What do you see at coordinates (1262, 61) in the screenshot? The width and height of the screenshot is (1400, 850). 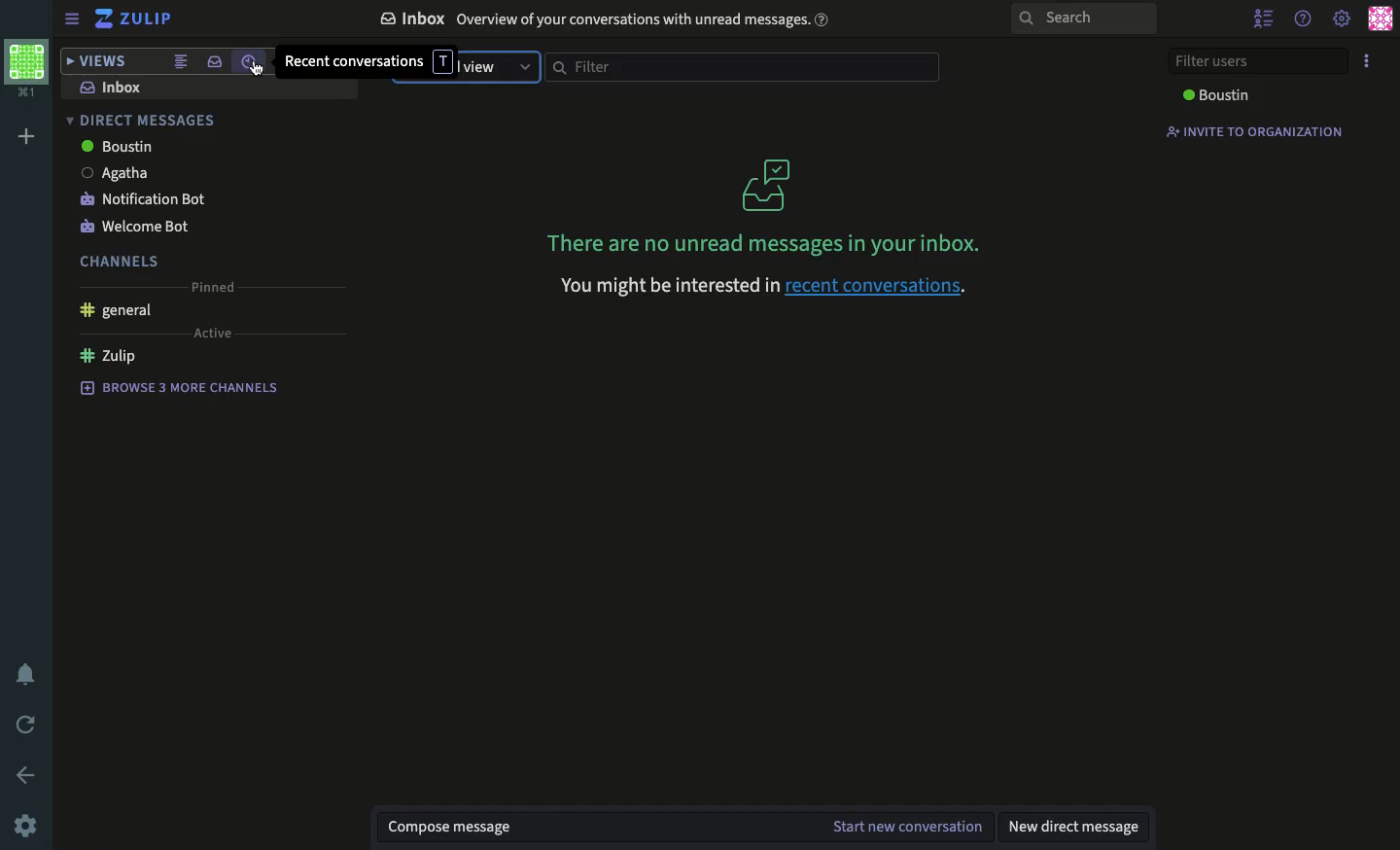 I see `filter users` at bounding box center [1262, 61].